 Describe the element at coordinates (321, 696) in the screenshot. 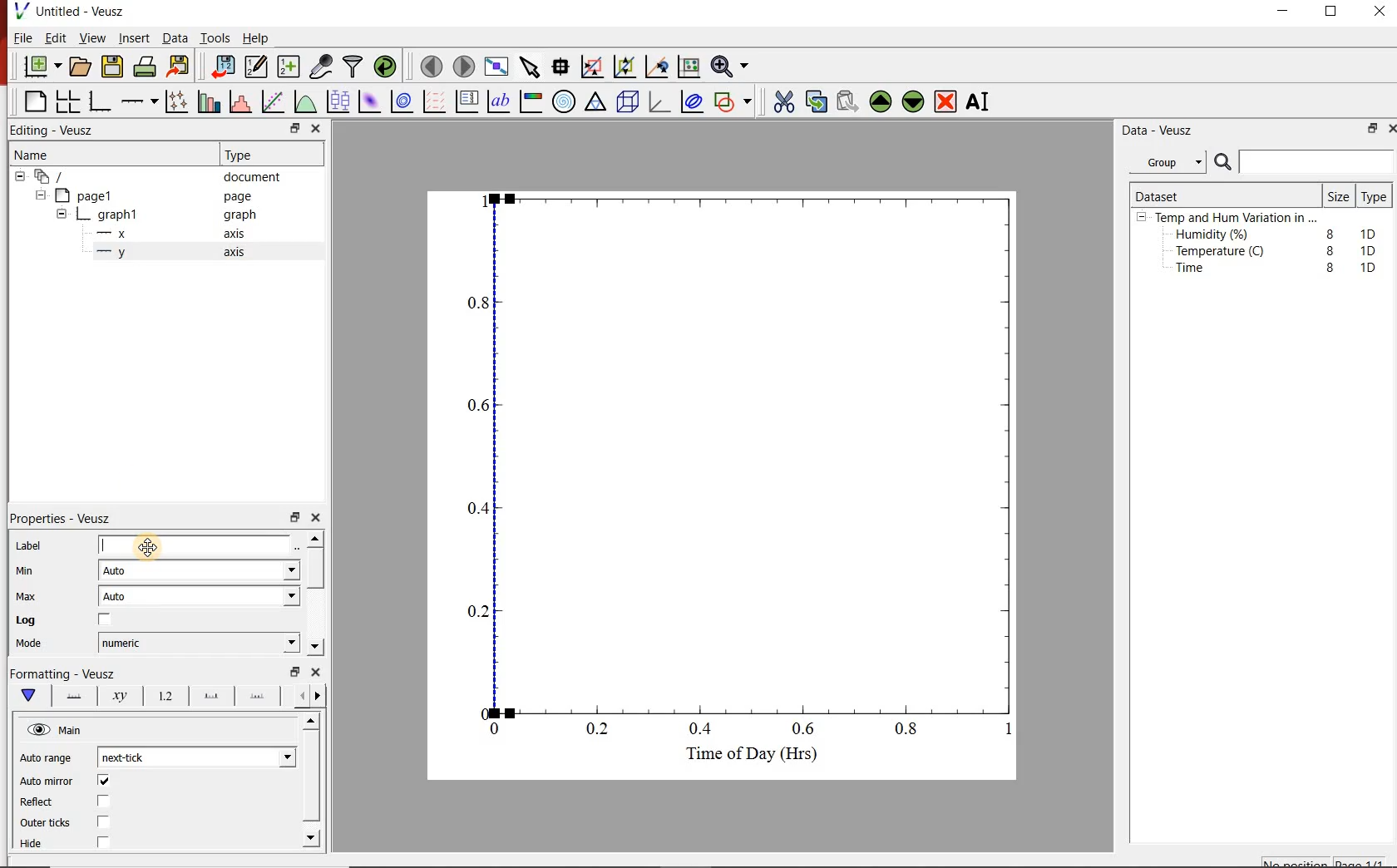

I see `go forward` at that location.